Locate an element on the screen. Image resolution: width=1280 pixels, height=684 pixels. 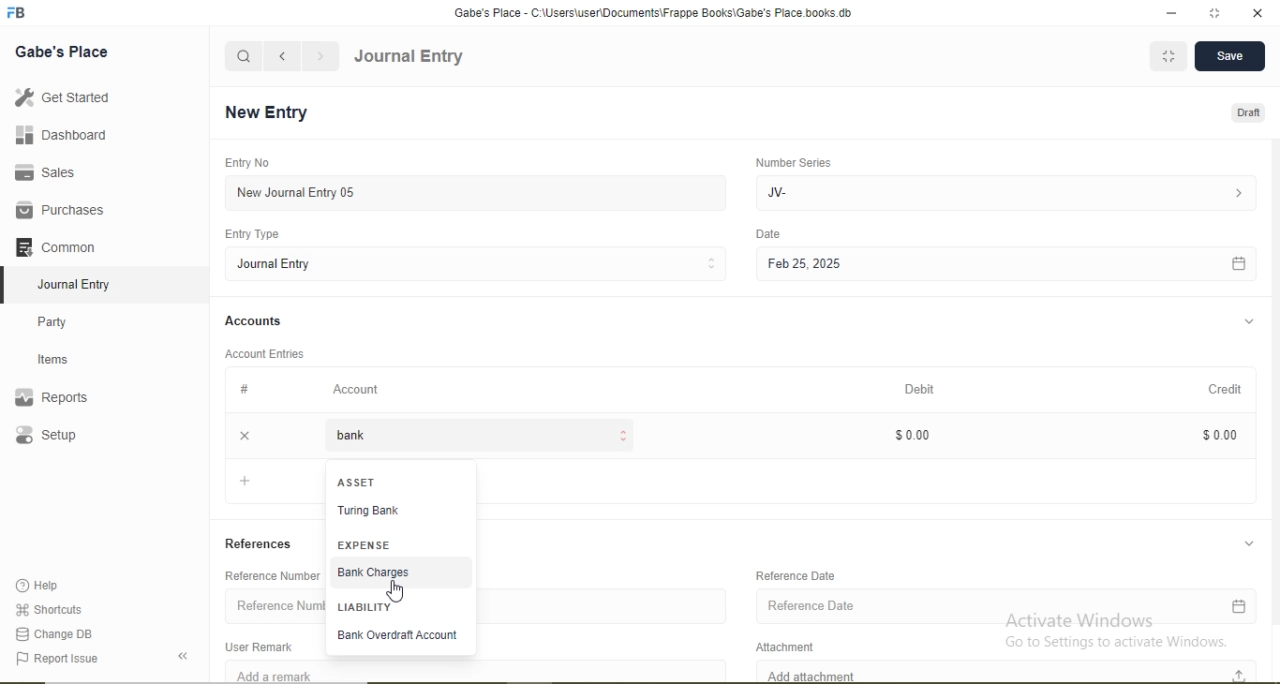
Number Series is located at coordinates (792, 162).